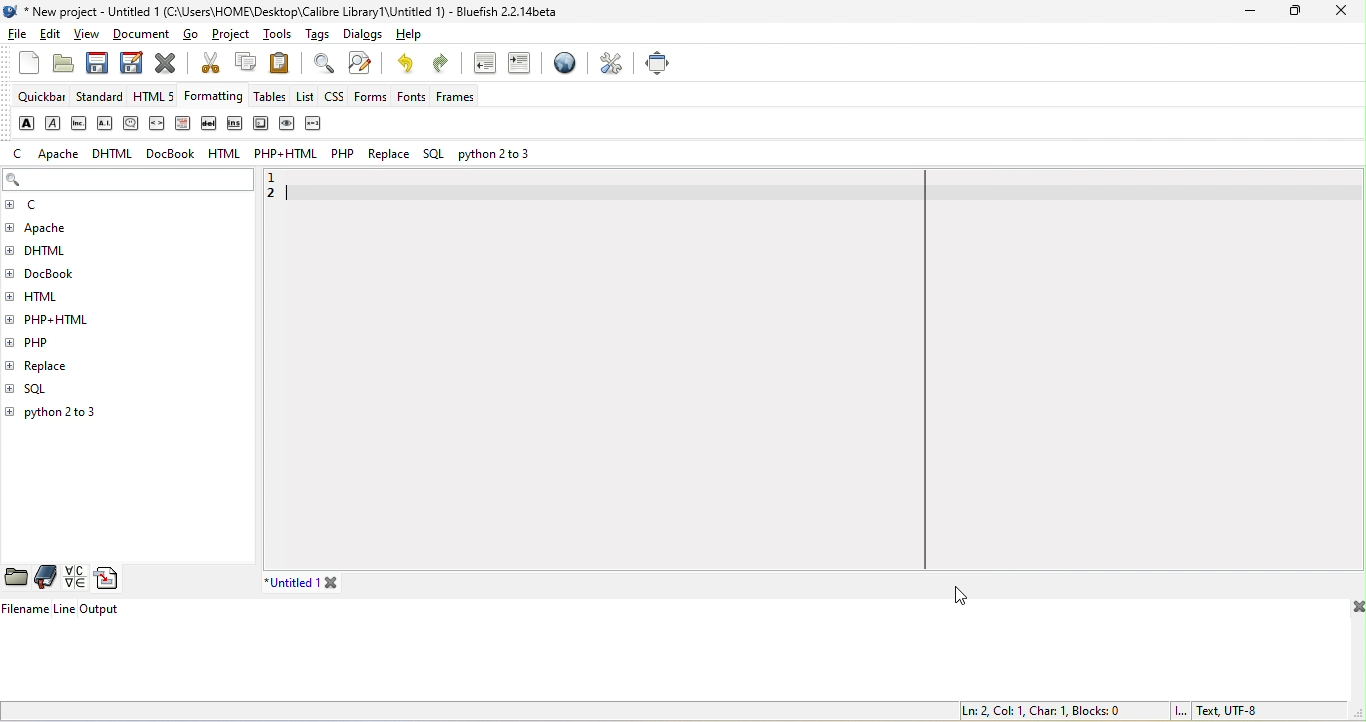 This screenshot has height=722, width=1366. Describe the element at coordinates (210, 123) in the screenshot. I see `delete` at that location.